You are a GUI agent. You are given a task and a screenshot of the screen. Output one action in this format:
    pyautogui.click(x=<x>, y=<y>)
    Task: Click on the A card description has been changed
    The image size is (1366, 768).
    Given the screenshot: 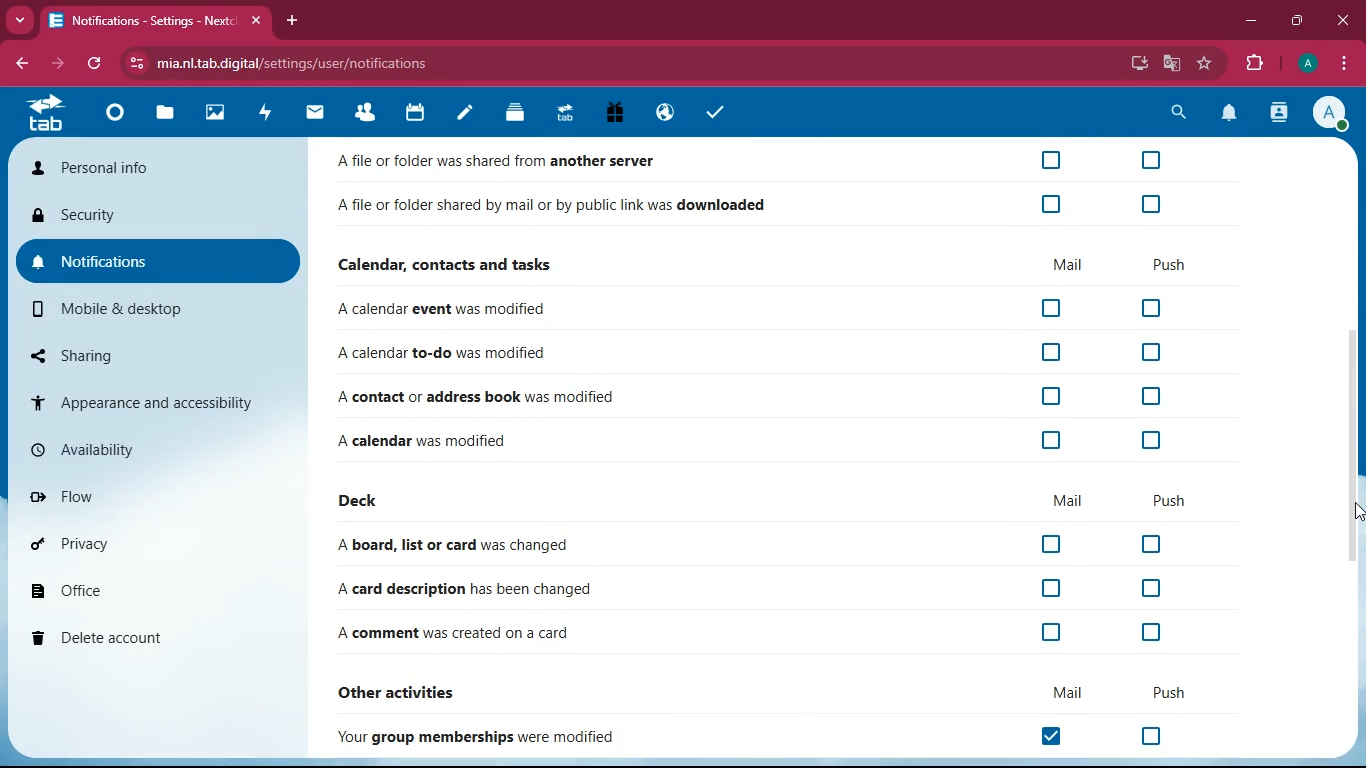 What is the action you would take?
    pyautogui.click(x=459, y=589)
    